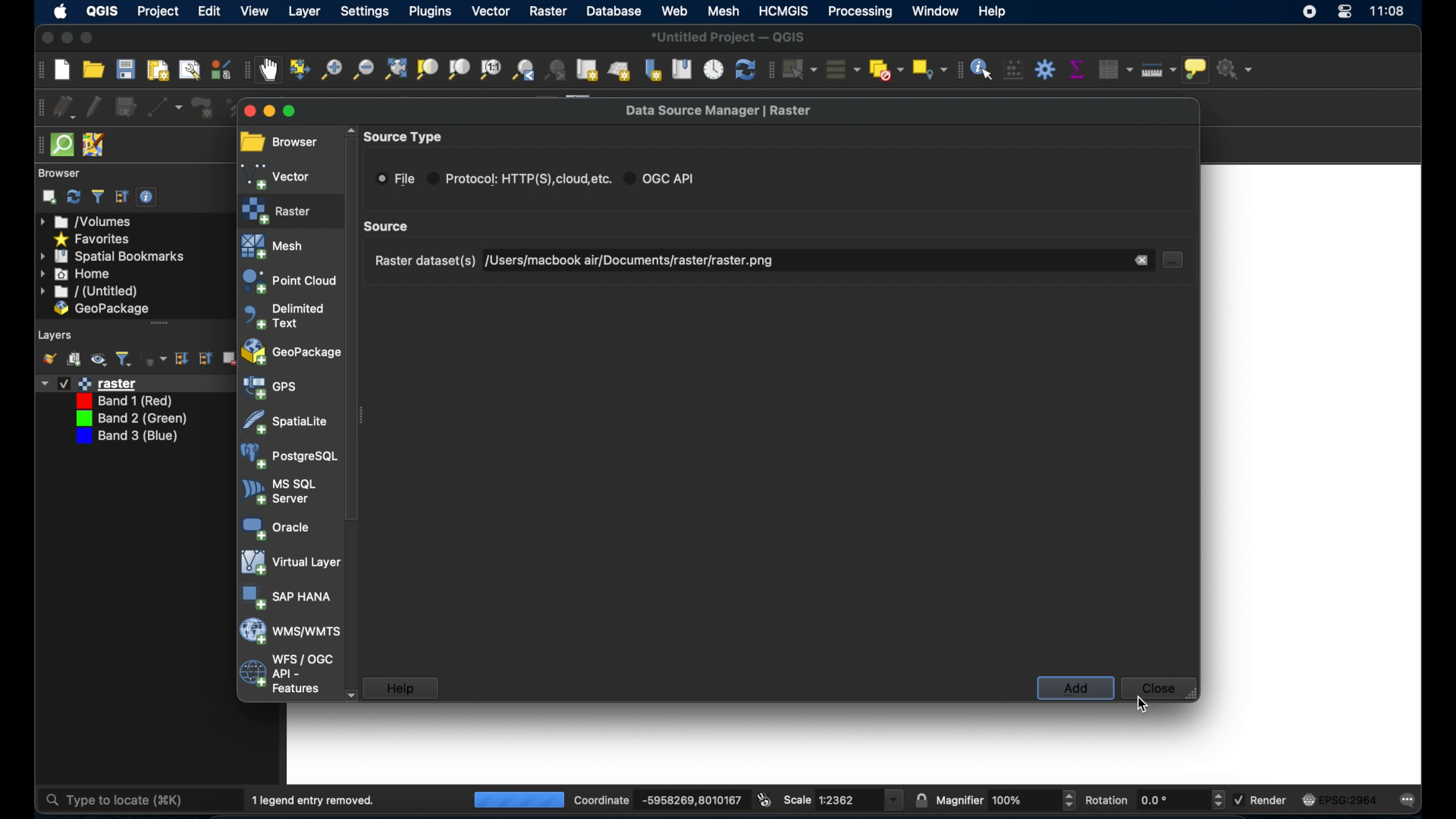 This screenshot has height=819, width=1456. What do you see at coordinates (99, 361) in the screenshot?
I see `manage map theme` at bounding box center [99, 361].